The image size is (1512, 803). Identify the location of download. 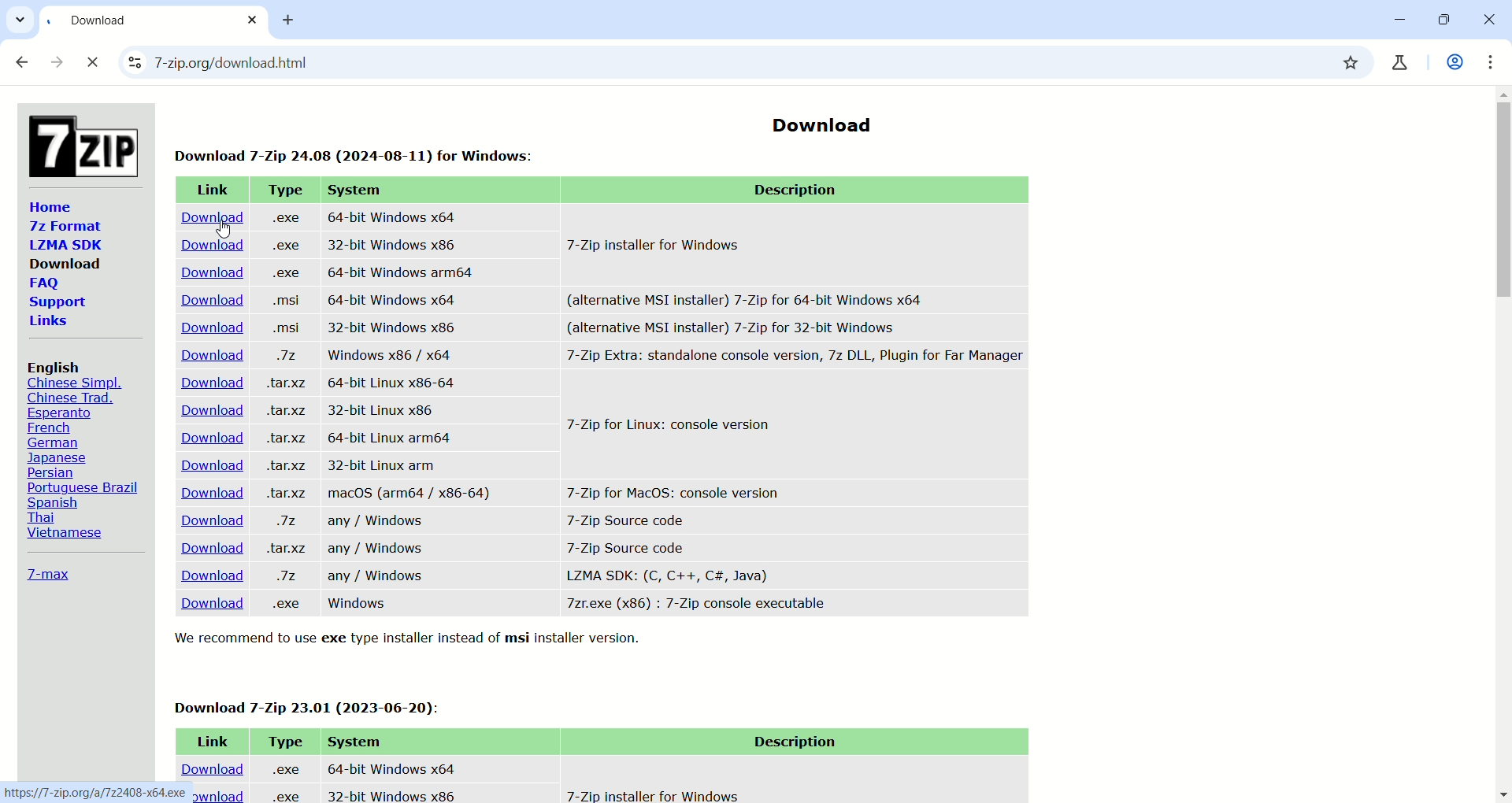
(220, 794).